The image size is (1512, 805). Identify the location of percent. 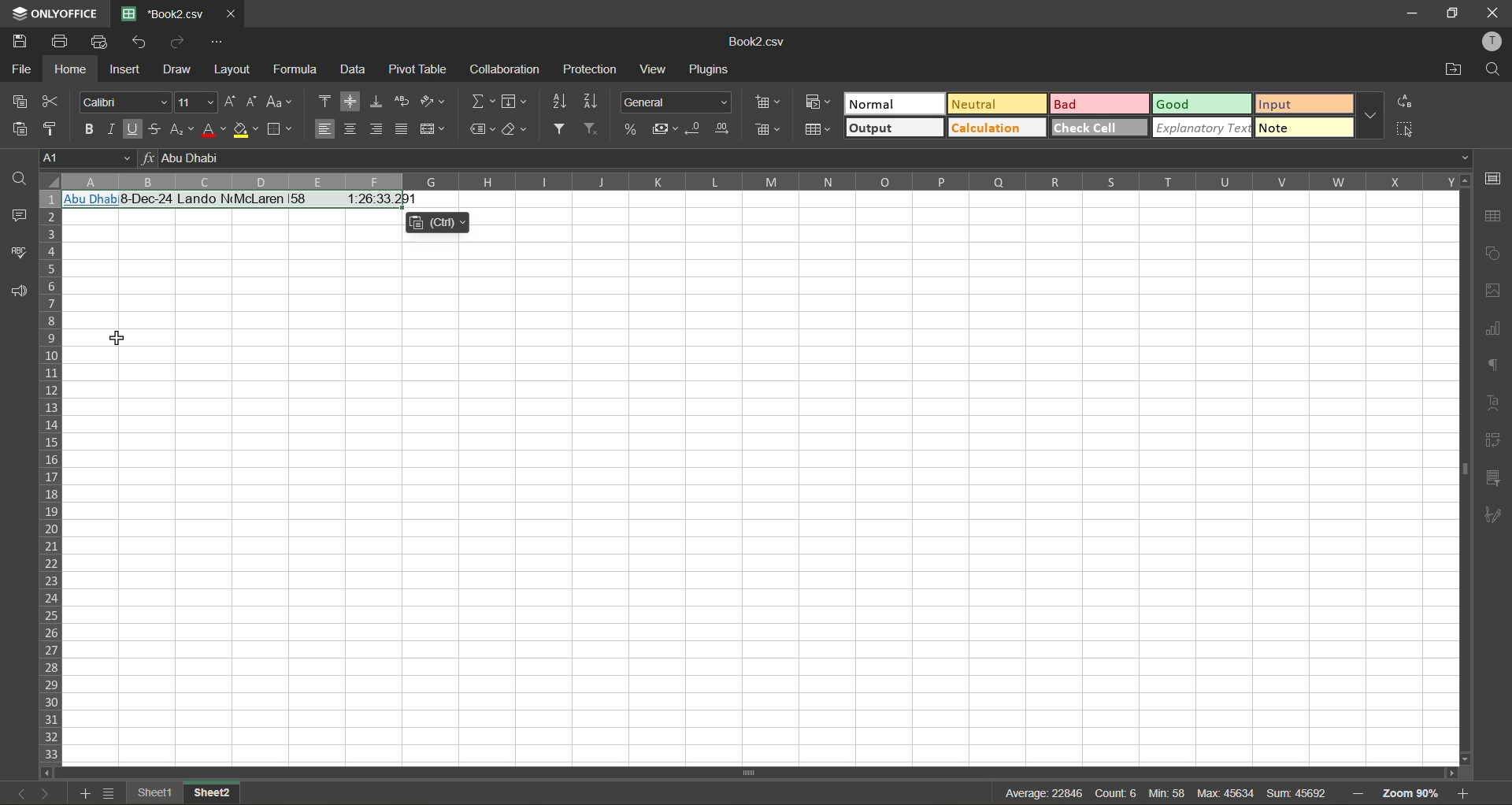
(632, 129).